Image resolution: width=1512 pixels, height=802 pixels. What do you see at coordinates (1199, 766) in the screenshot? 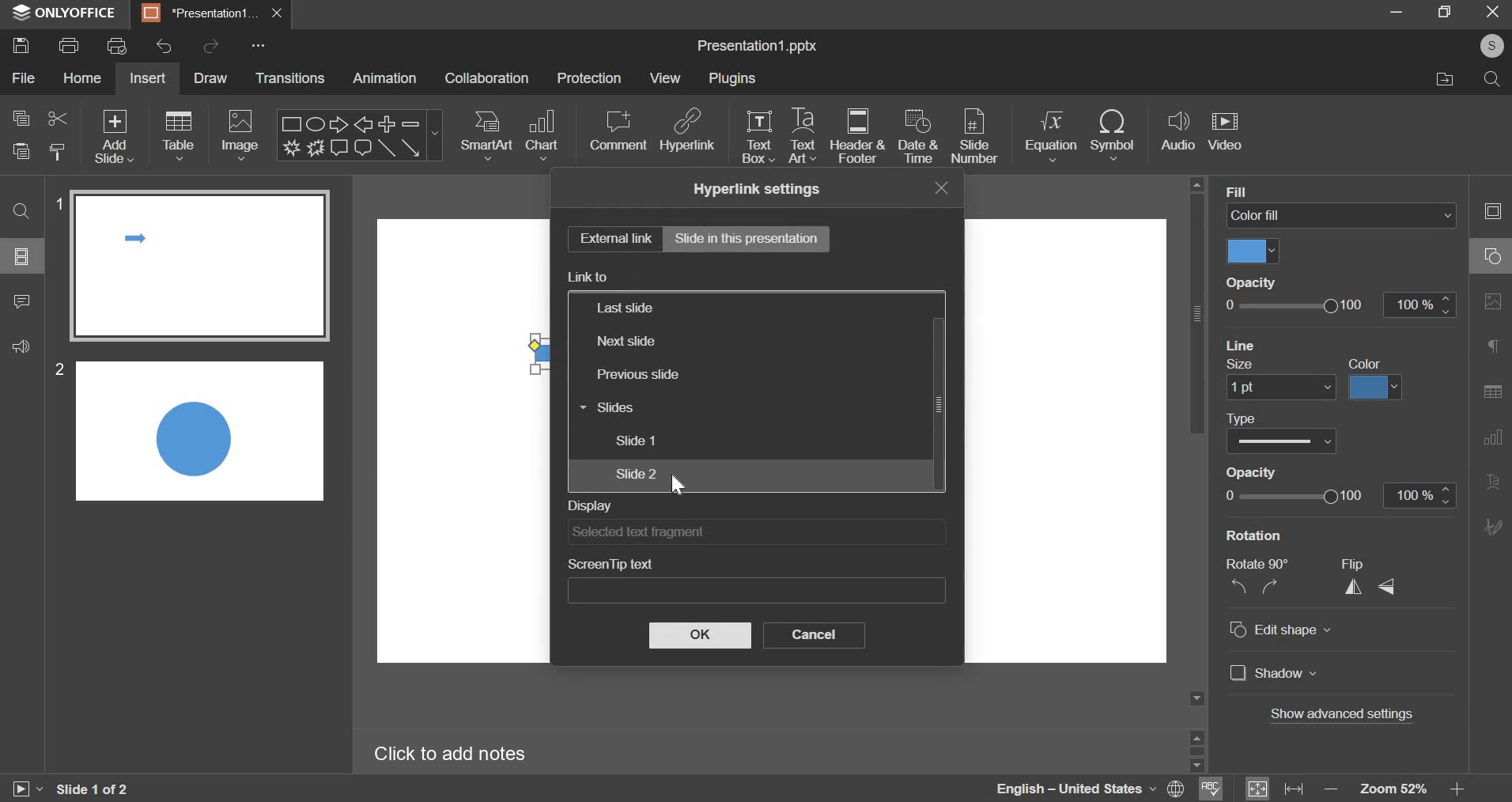
I see `scroll down` at bounding box center [1199, 766].